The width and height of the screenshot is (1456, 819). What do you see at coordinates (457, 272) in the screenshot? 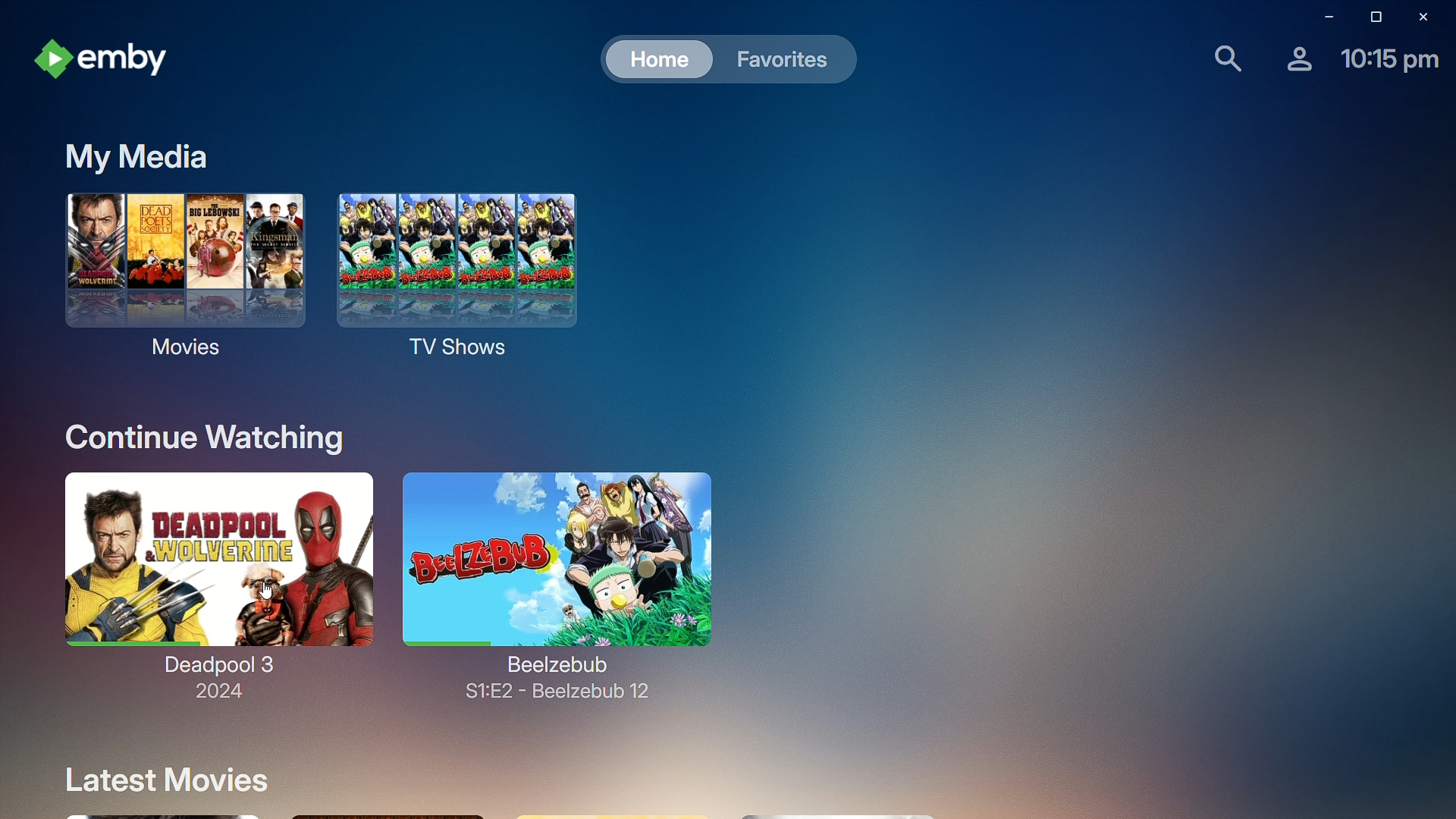
I see `TV Shows` at bounding box center [457, 272].